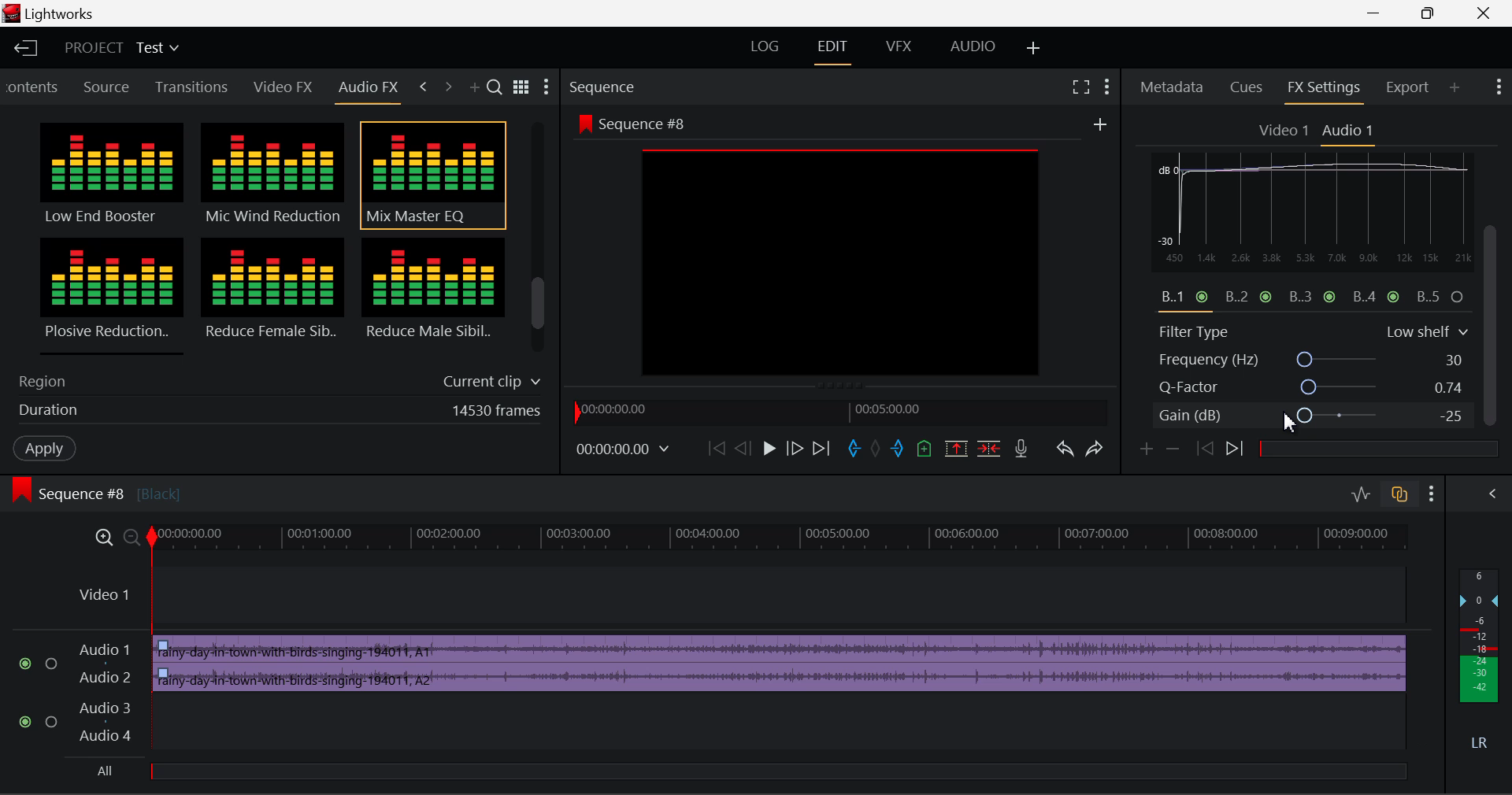 The width and height of the screenshot is (1512, 795). What do you see at coordinates (954, 448) in the screenshot?
I see `Remove Marked Section` at bounding box center [954, 448].